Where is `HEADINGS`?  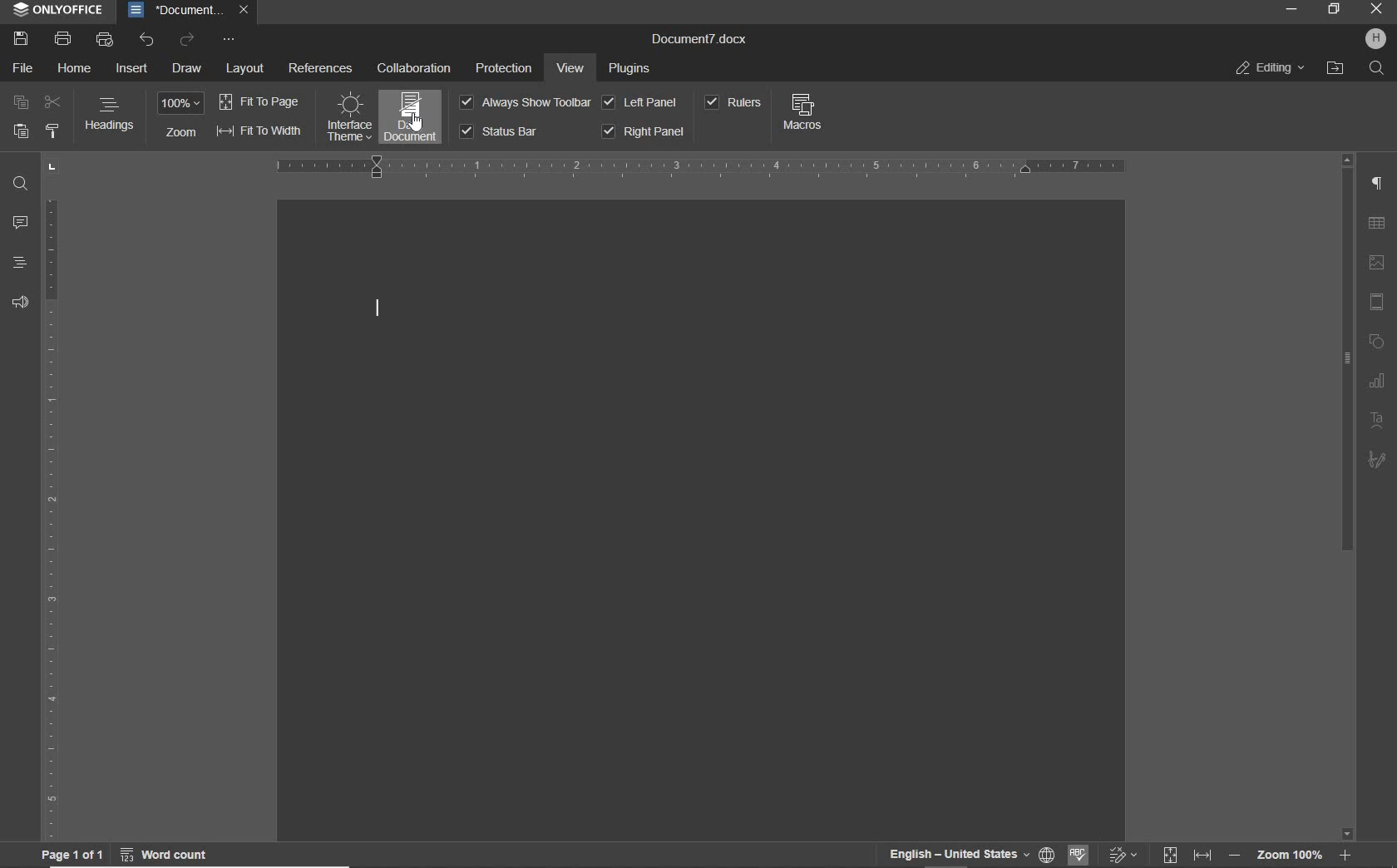
HEADINGS is located at coordinates (111, 116).